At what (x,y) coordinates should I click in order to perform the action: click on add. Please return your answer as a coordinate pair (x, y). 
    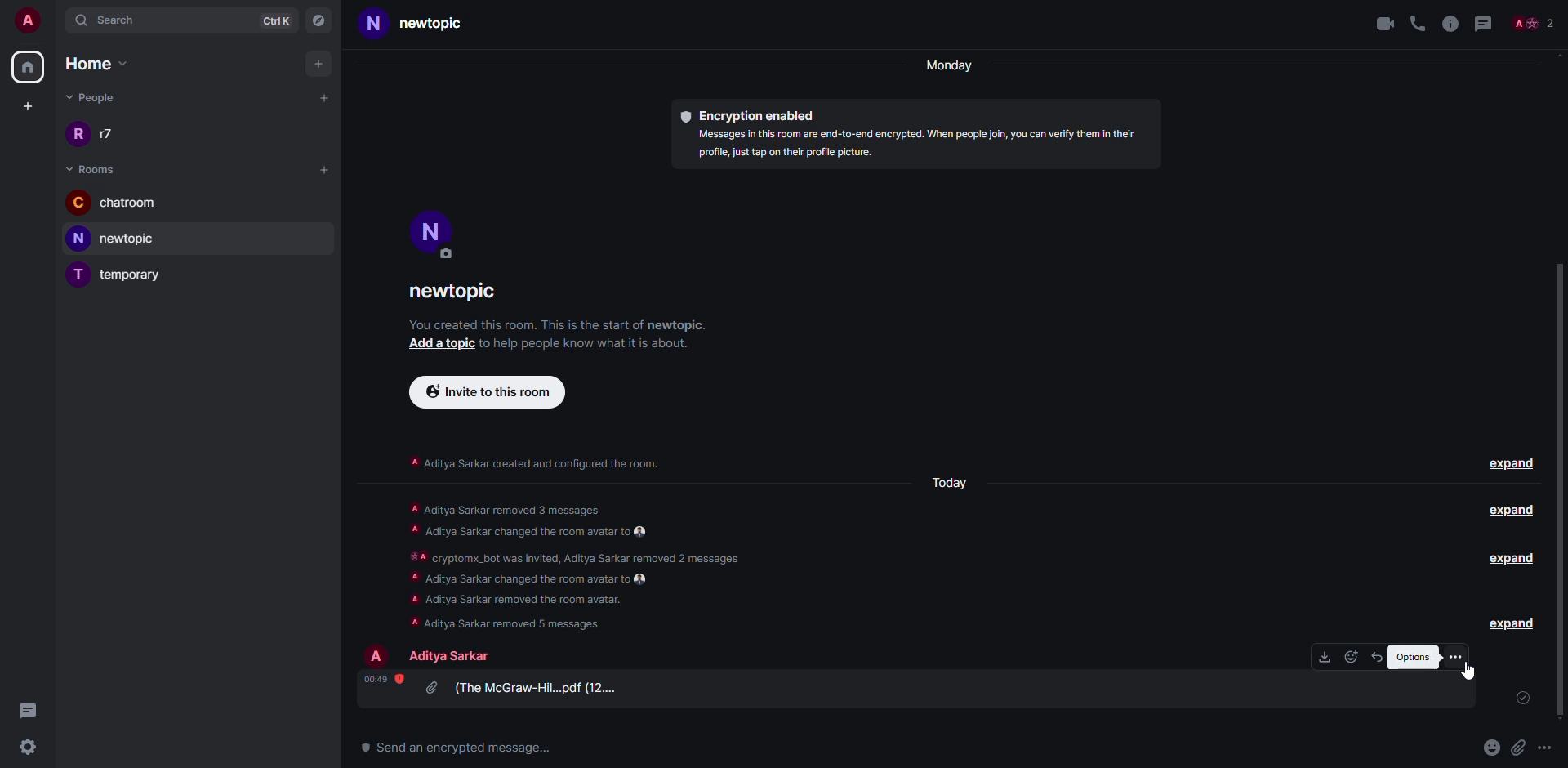
    Looking at the image, I should click on (326, 96).